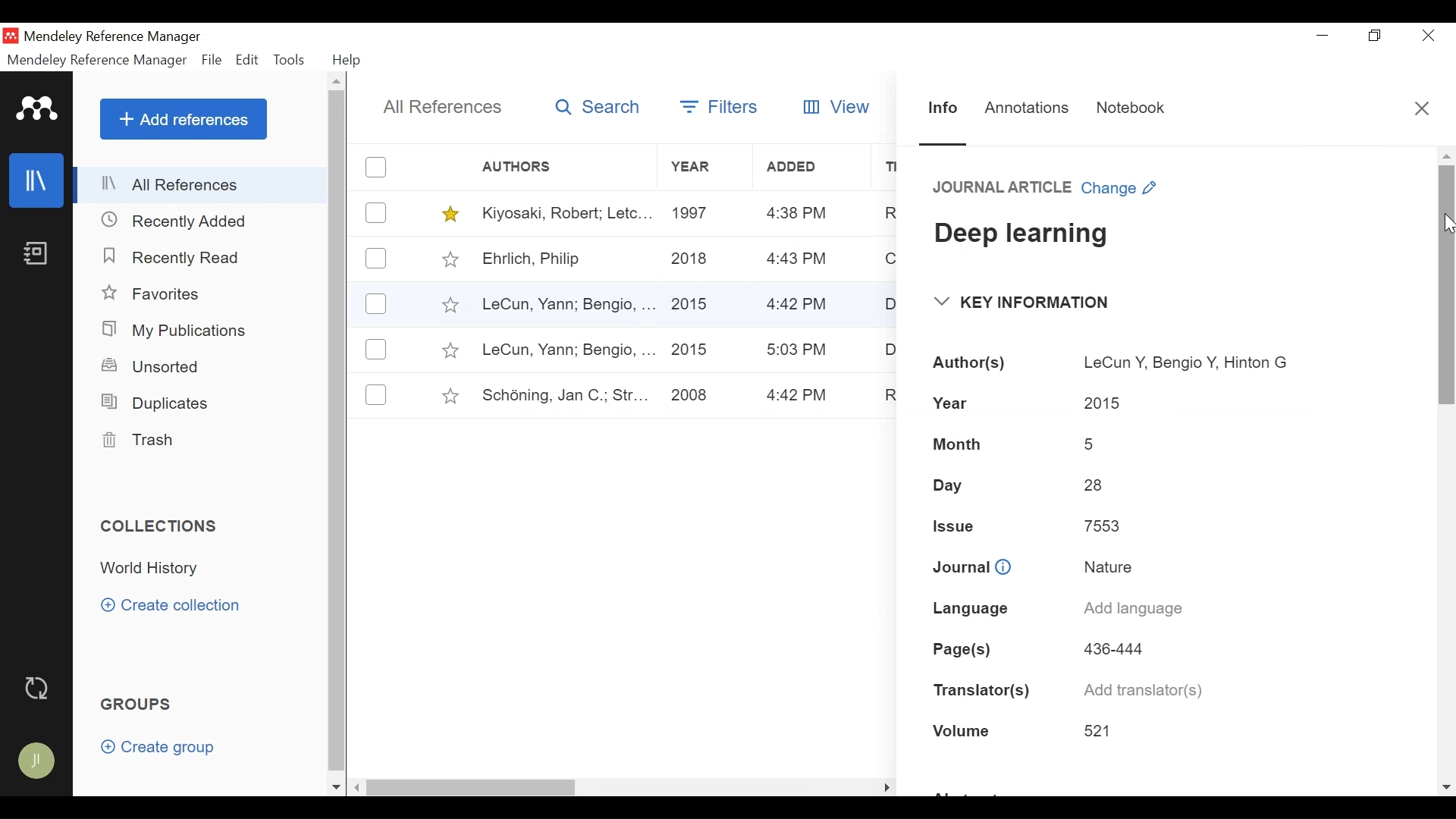  I want to click on 5:03 PM, so click(798, 350).